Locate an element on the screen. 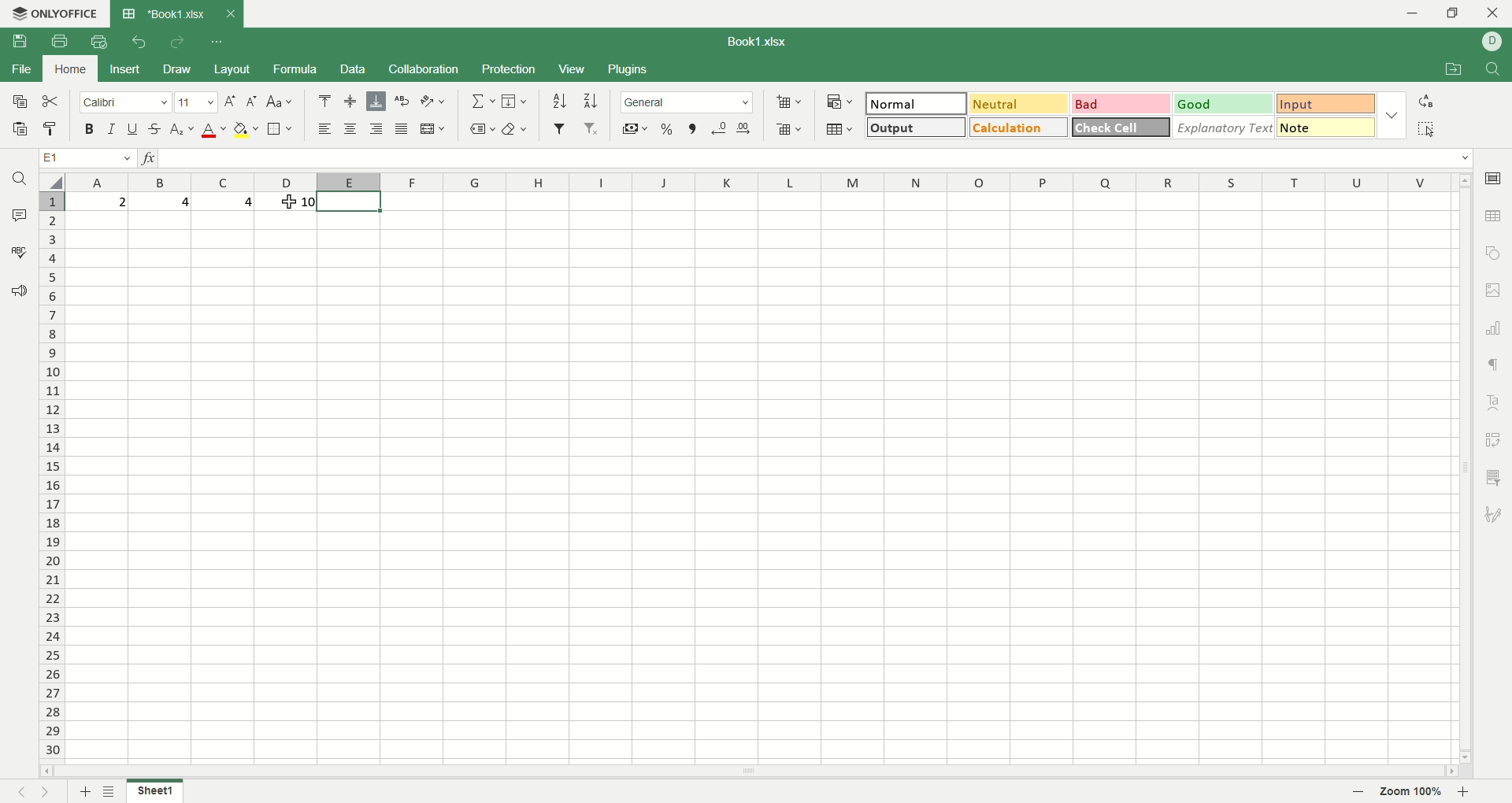 The width and height of the screenshot is (1512, 803). check cell is located at coordinates (1121, 127).